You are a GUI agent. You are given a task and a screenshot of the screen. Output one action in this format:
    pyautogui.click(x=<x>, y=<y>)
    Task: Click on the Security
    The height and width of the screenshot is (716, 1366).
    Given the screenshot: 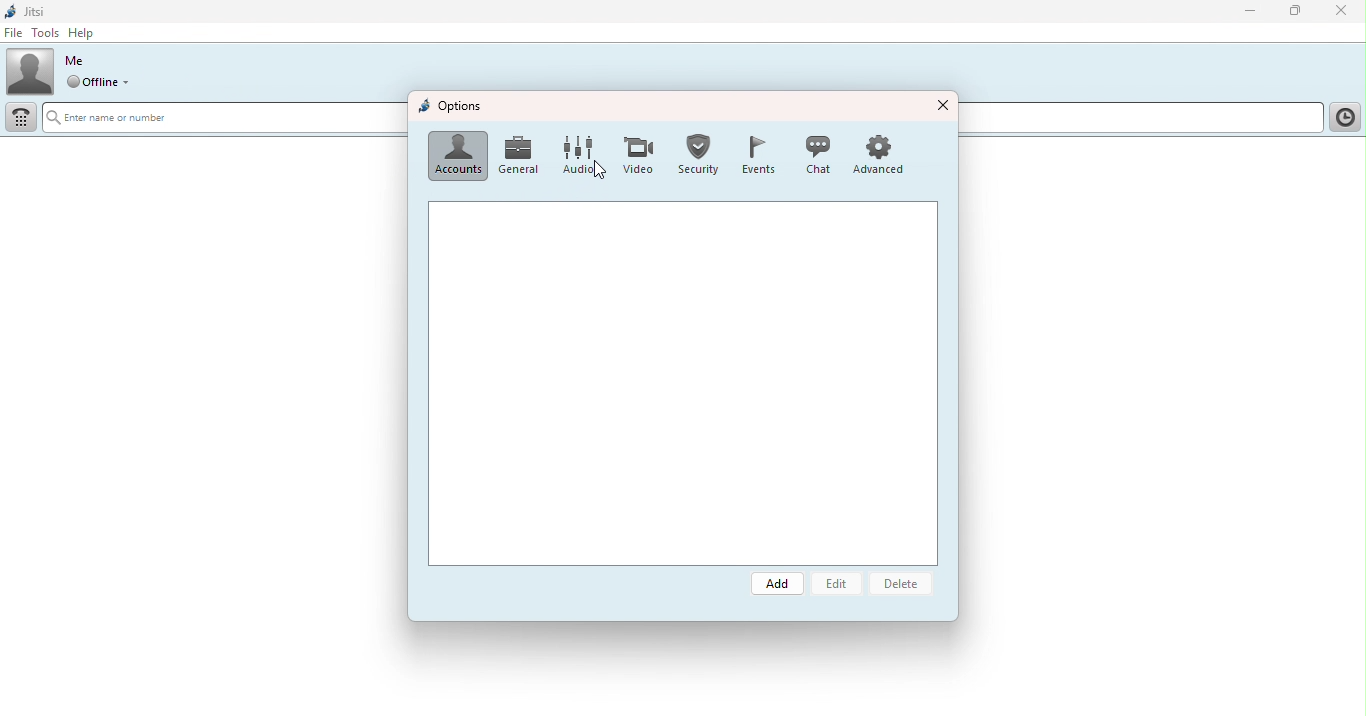 What is the action you would take?
    pyautogui.click(x=697, y=154)
    